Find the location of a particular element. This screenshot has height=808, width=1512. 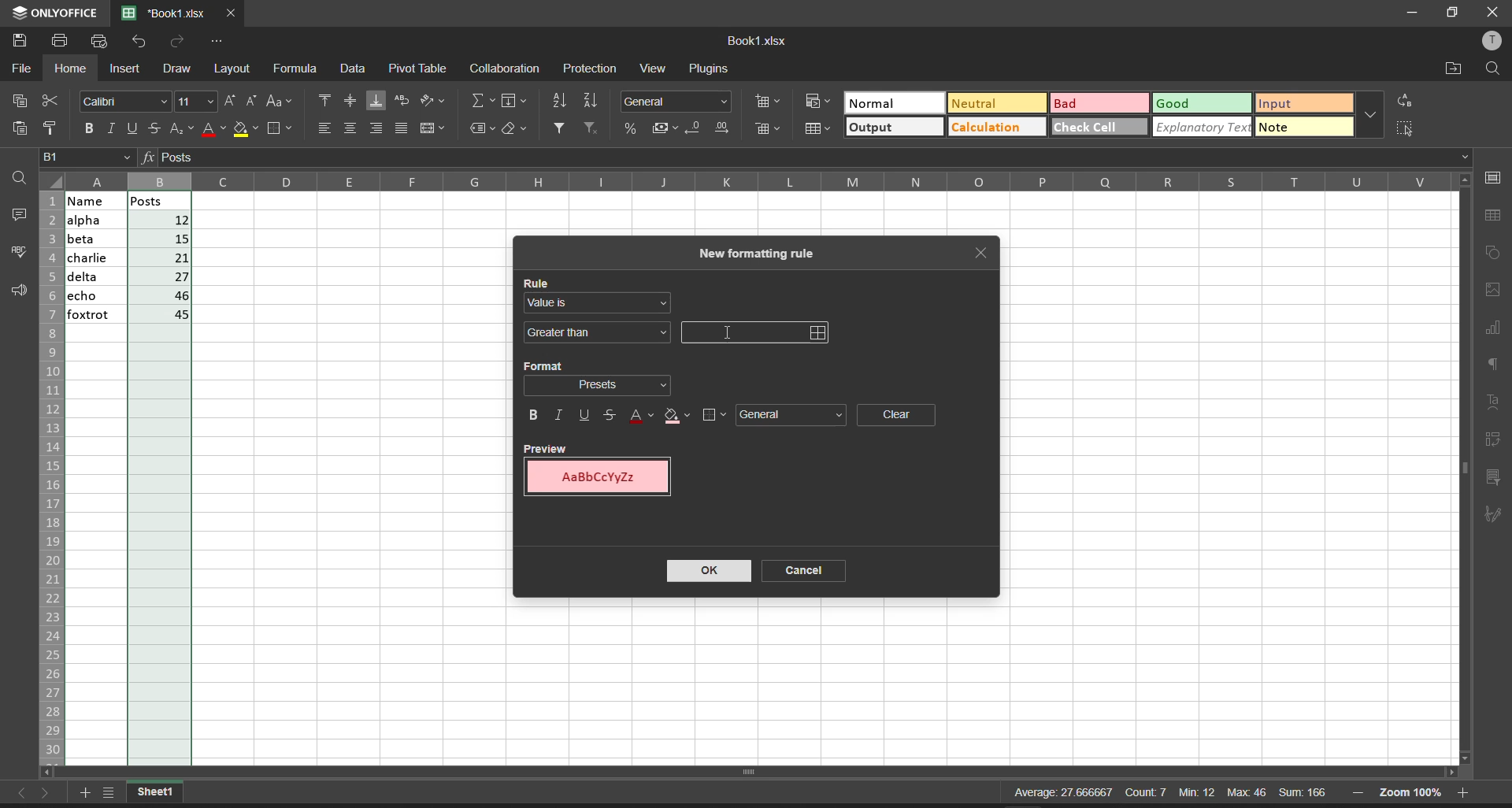

table settings is located at coordinates (1497, 216).